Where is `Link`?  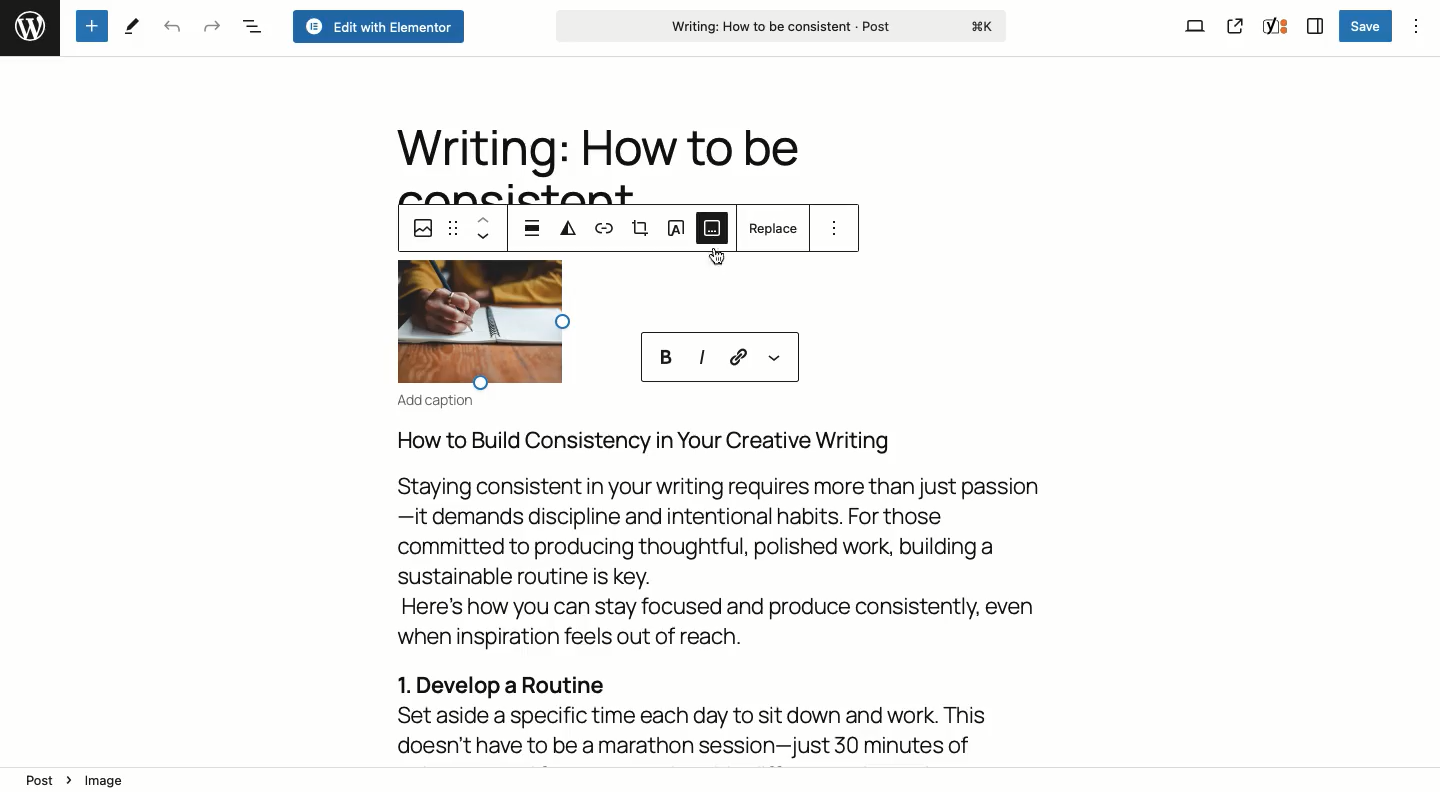 Link is located at coordinates (737, 354).